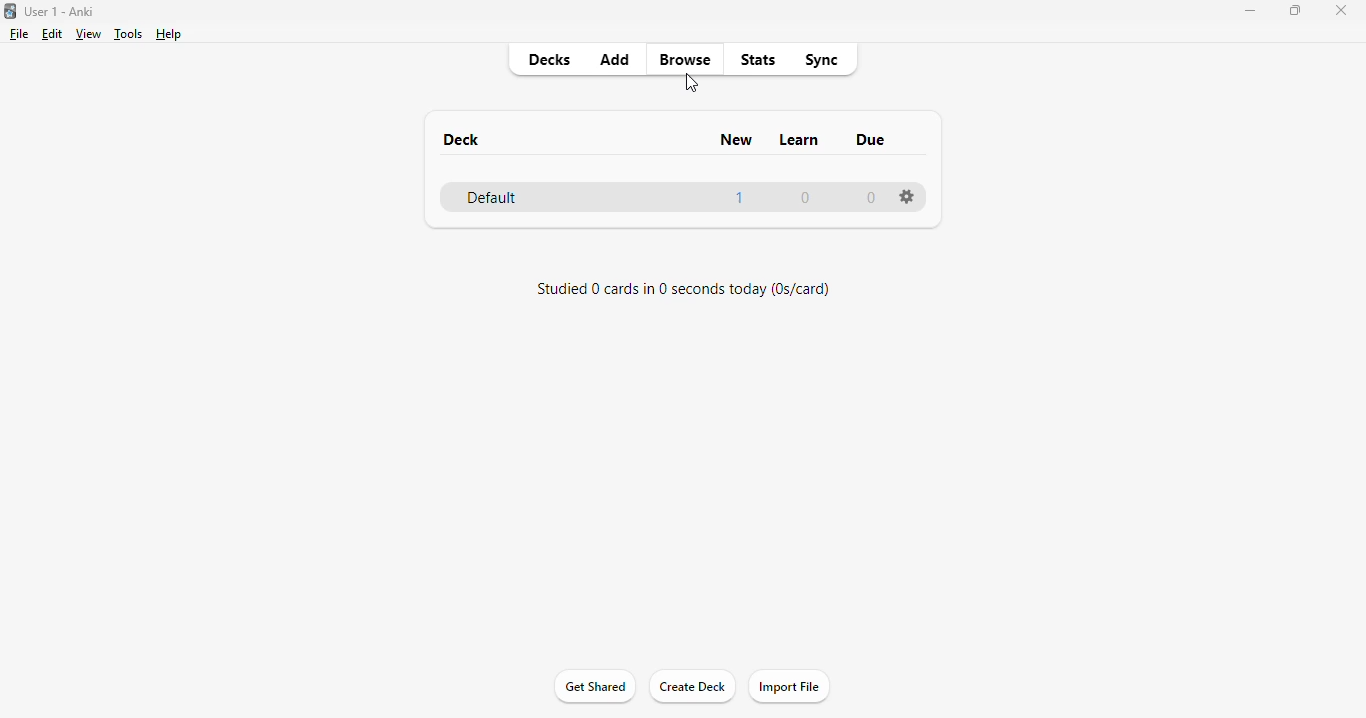 The image size is (1366, 718). Describe the element at coordinates (461, 139) in the screenshot. I see `deck` at that location.